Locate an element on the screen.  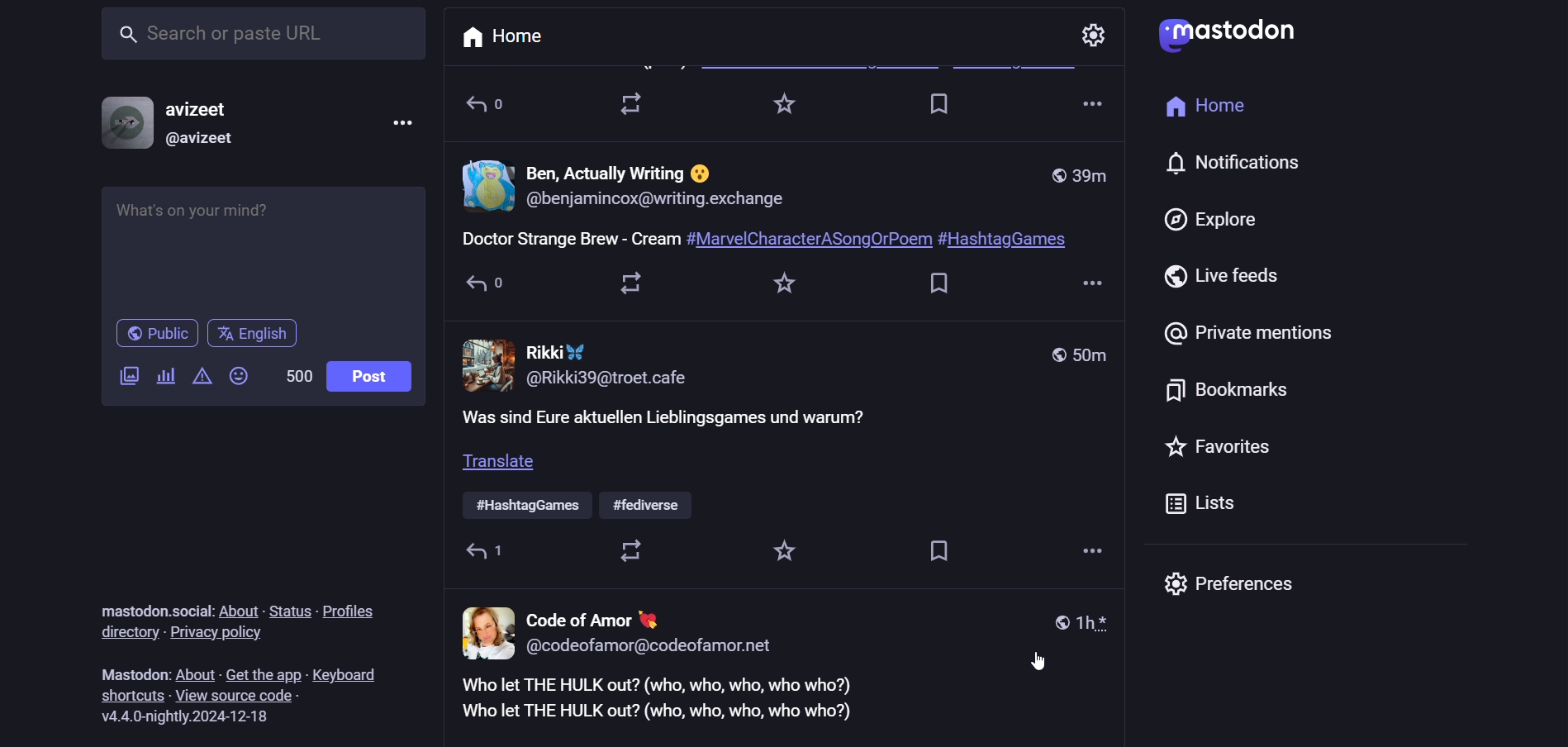
ben actually writing is located at coordinates (625, 171).